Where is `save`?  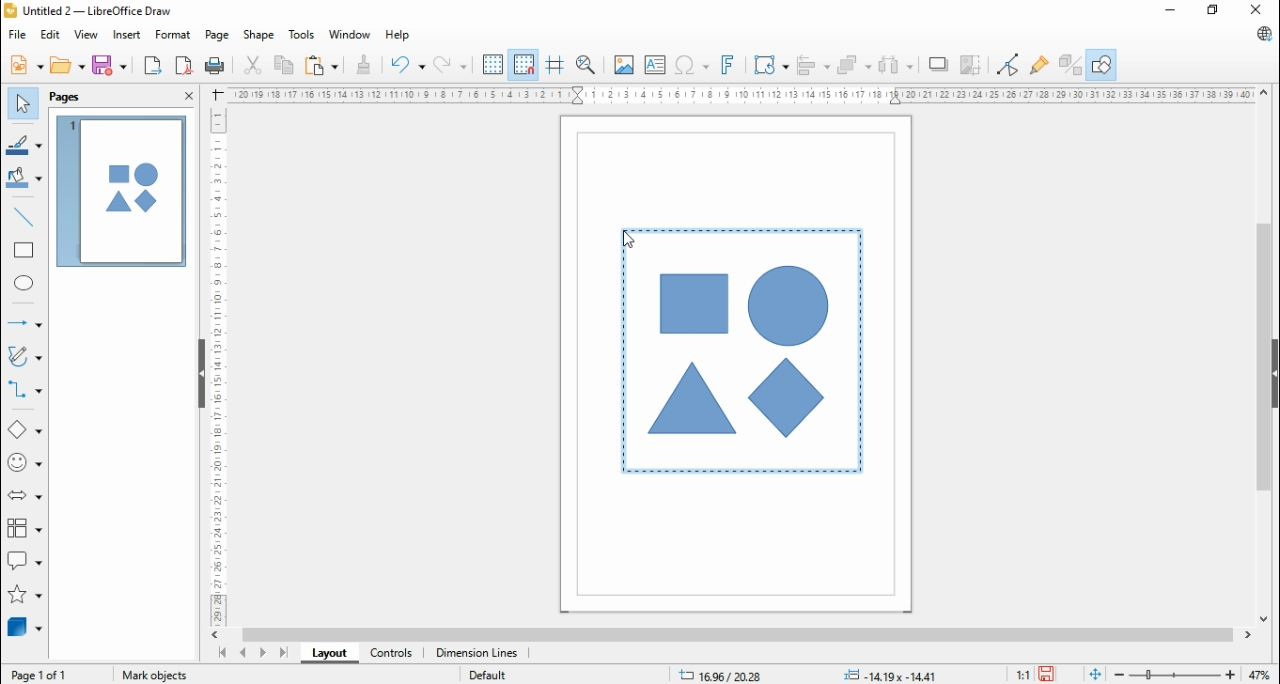
save is located at coordinates (1046, 674).